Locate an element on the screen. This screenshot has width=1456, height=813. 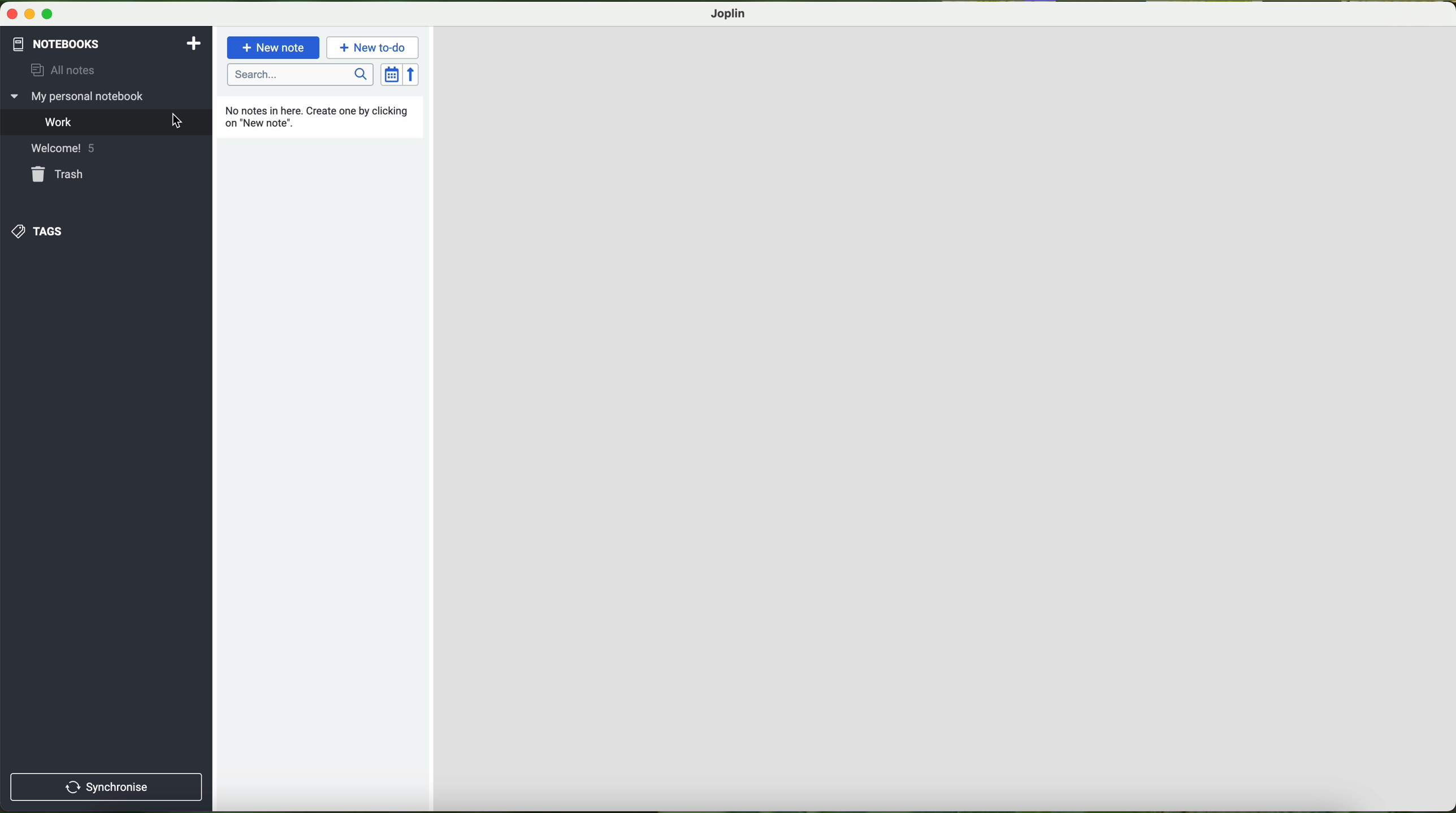
synchronise button is located at coordinates (106, 788).